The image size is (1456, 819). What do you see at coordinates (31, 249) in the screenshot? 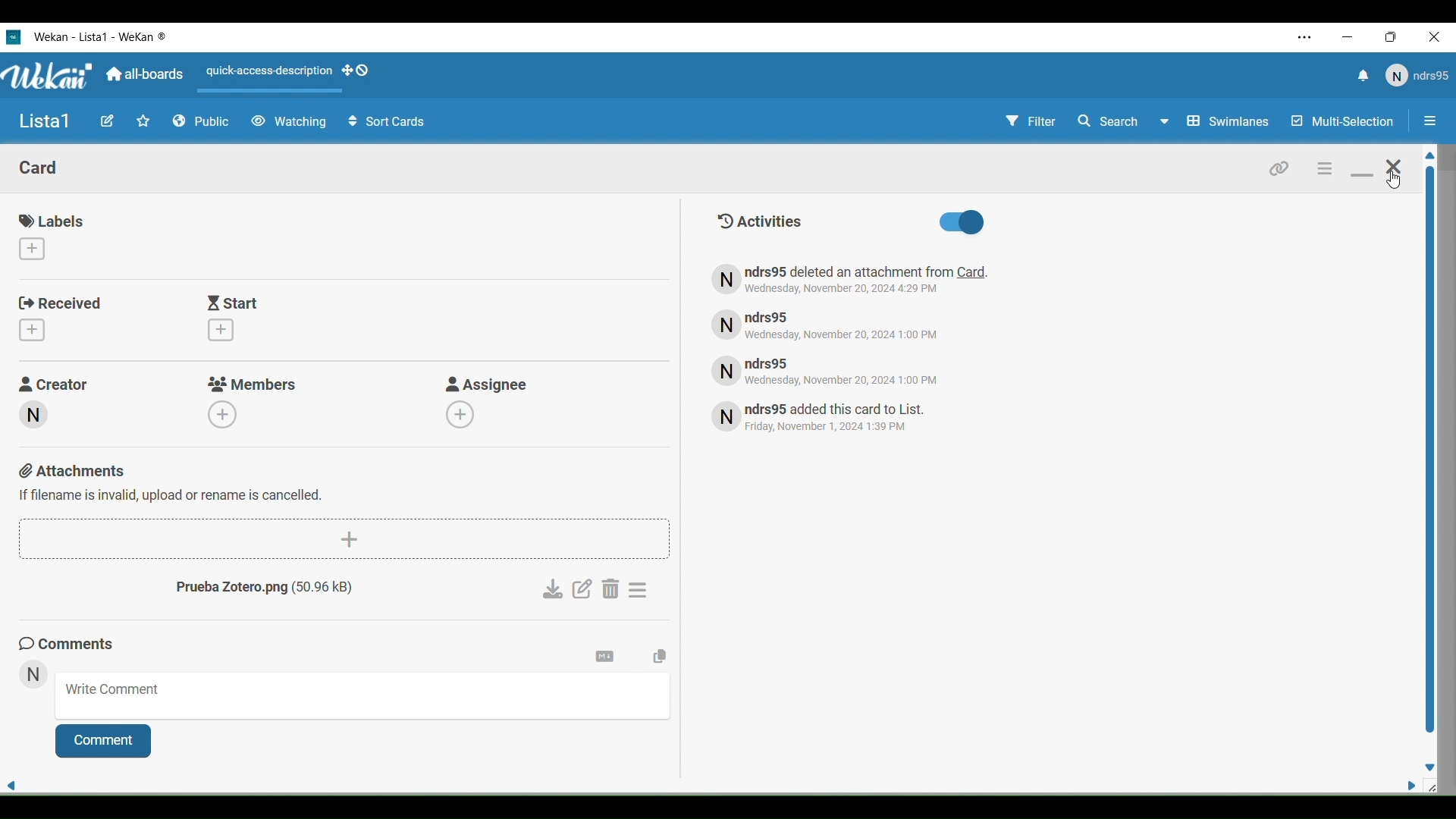
I see `Add labbels` at bounding box center [31, 249].